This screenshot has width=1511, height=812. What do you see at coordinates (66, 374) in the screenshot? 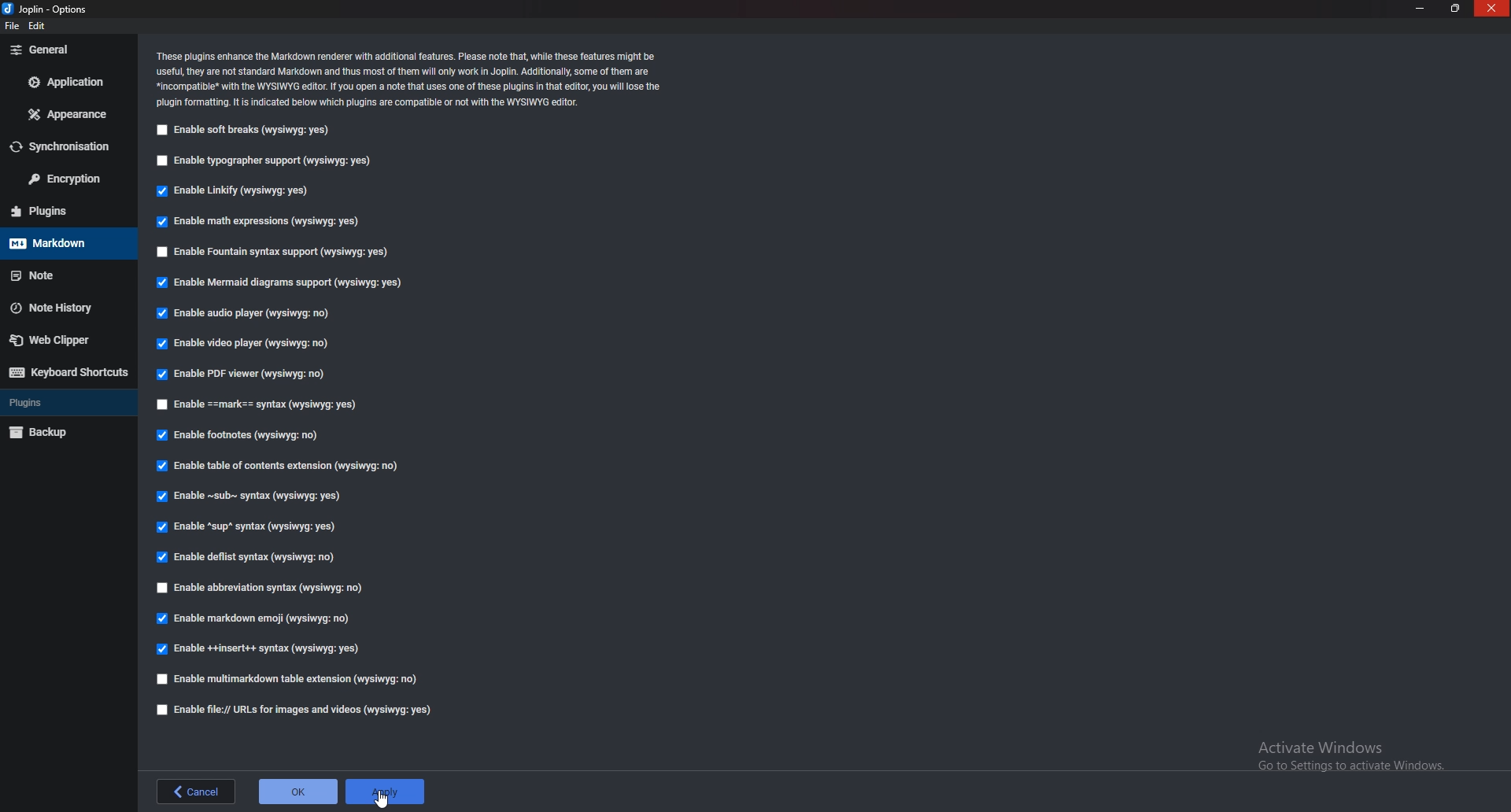
I see `Keyboard shortcuts` at bounding box center [66, 374].